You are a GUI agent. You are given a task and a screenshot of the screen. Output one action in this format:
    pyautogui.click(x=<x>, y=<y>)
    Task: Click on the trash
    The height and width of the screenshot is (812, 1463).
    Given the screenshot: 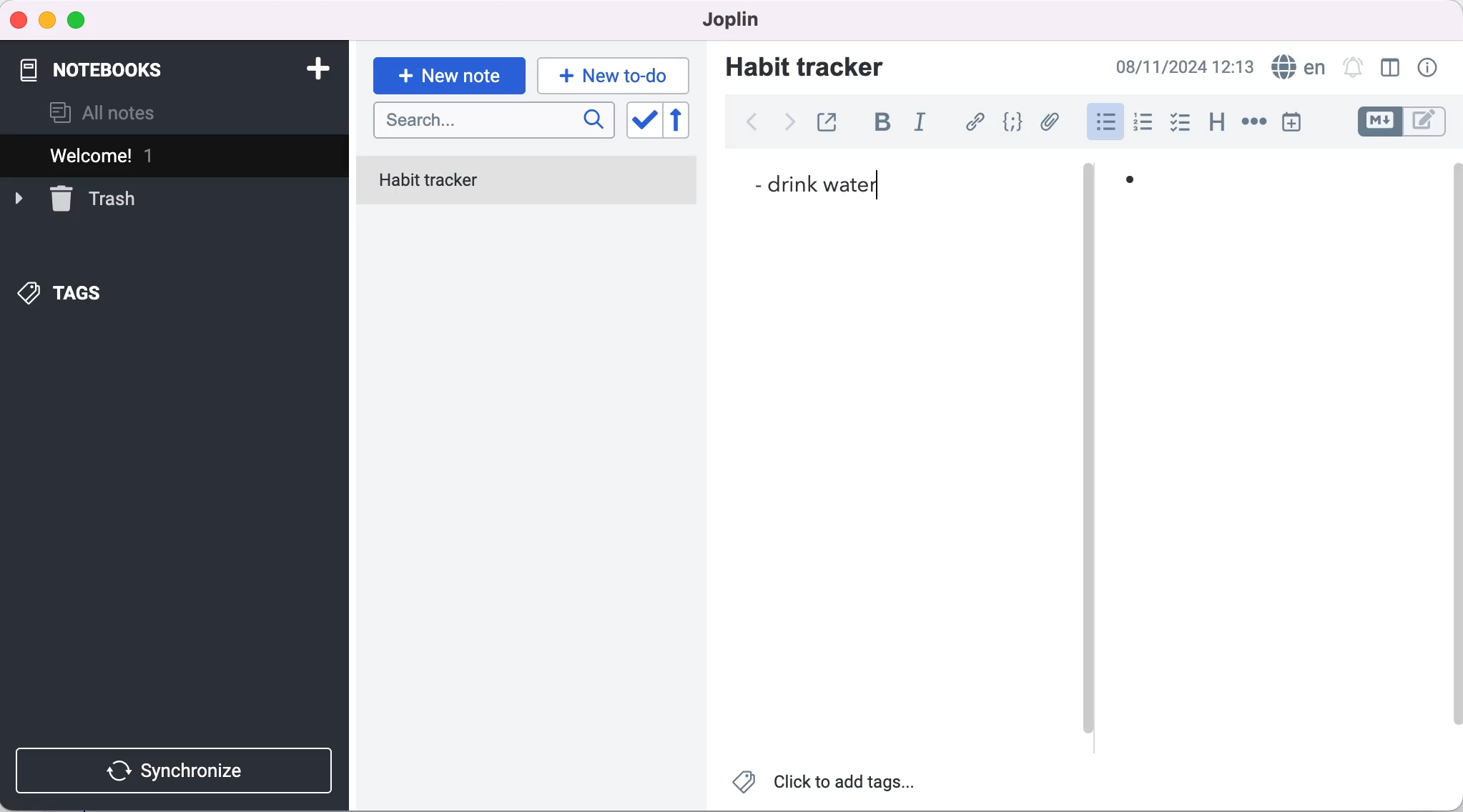 What is the action you would take?
    pyautogui.click(x=75, y=197)
    